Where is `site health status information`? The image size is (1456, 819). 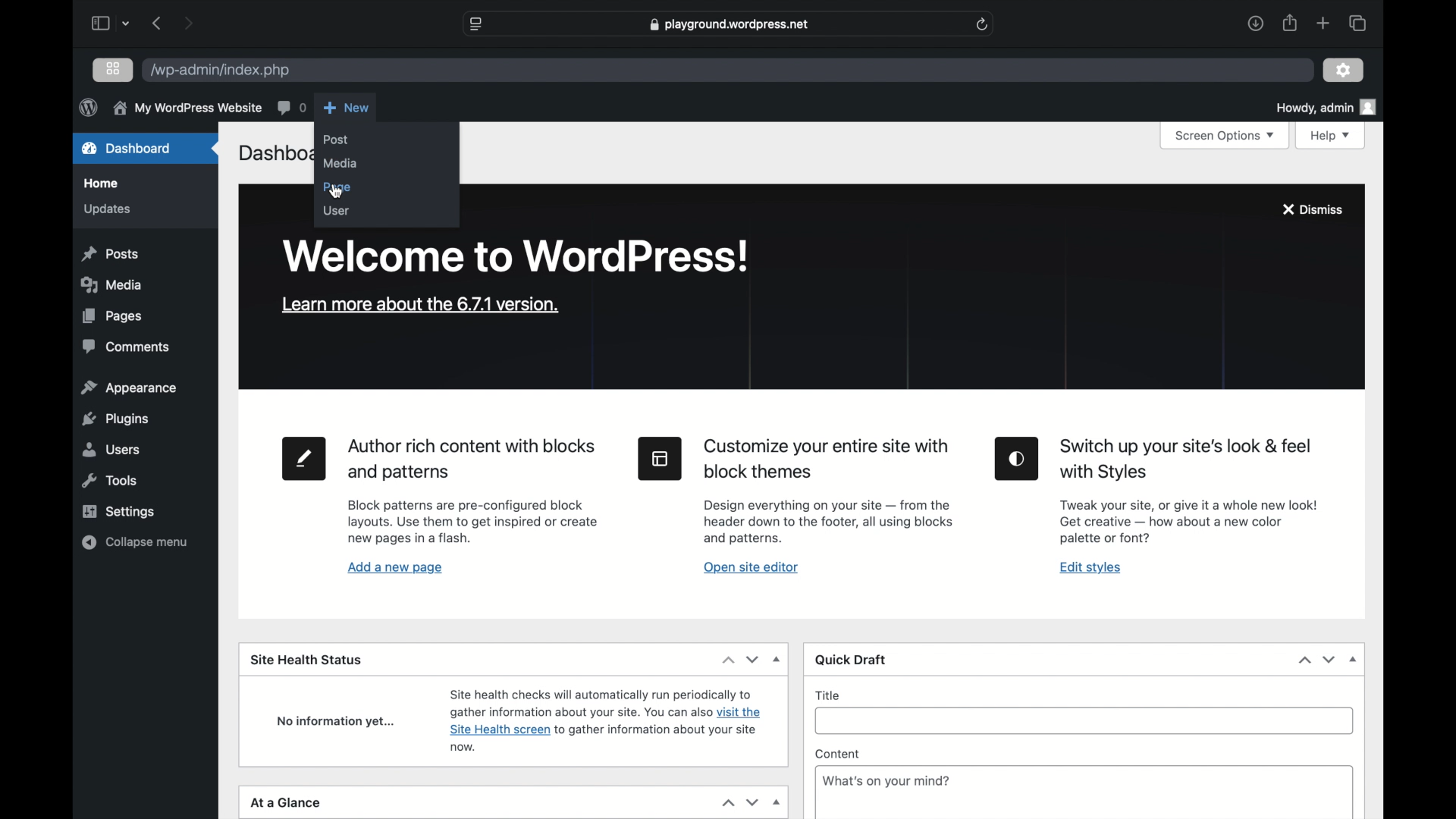 site health status information is located at coordinates (606, 720).